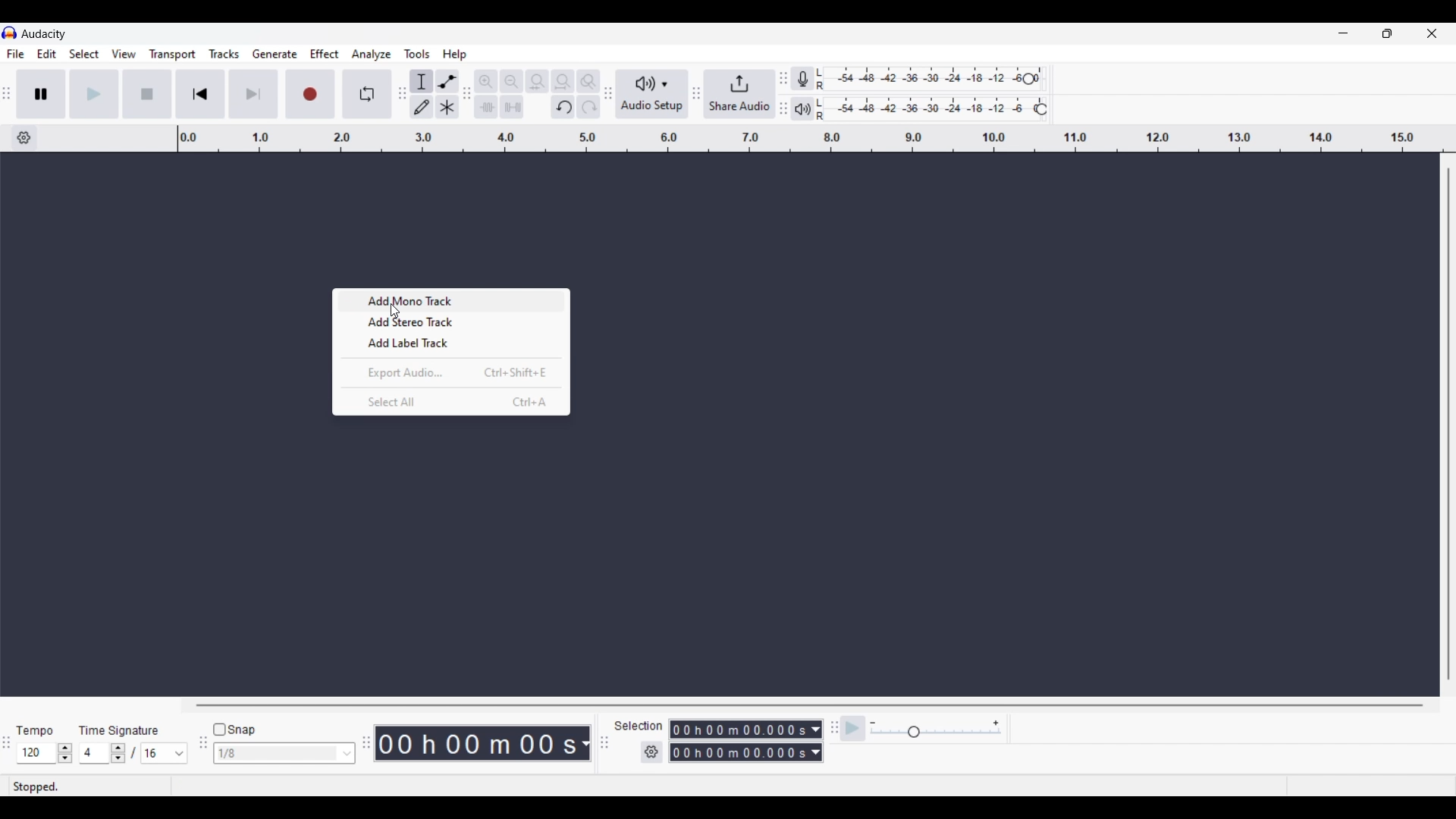 The height and width of the screenshot is (819, 1456). I want to click on Multitool, so click(447, 108).